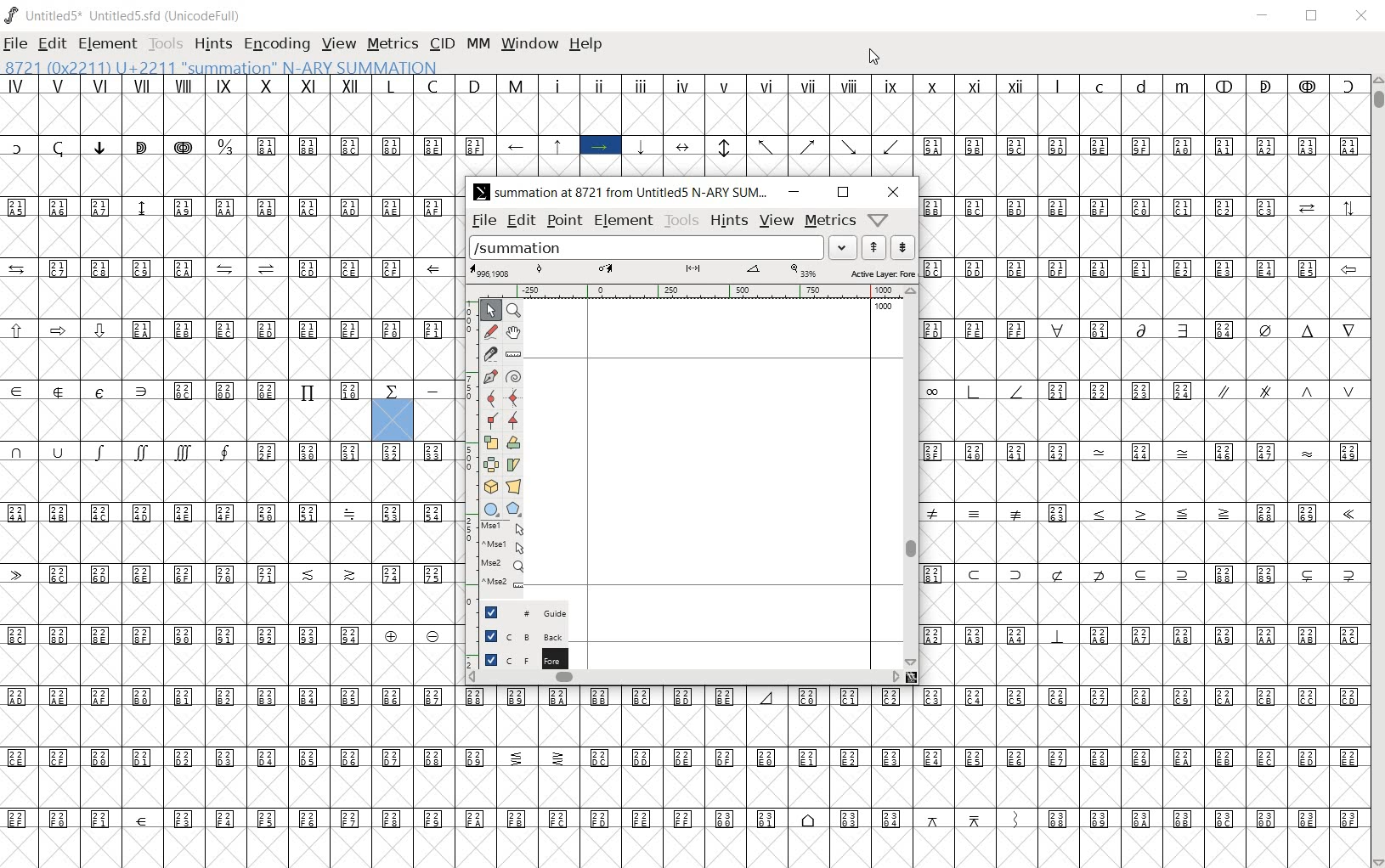  Describe the element at coordinates (227, 472) in the screenshot. I see `glyph characters` at that location.